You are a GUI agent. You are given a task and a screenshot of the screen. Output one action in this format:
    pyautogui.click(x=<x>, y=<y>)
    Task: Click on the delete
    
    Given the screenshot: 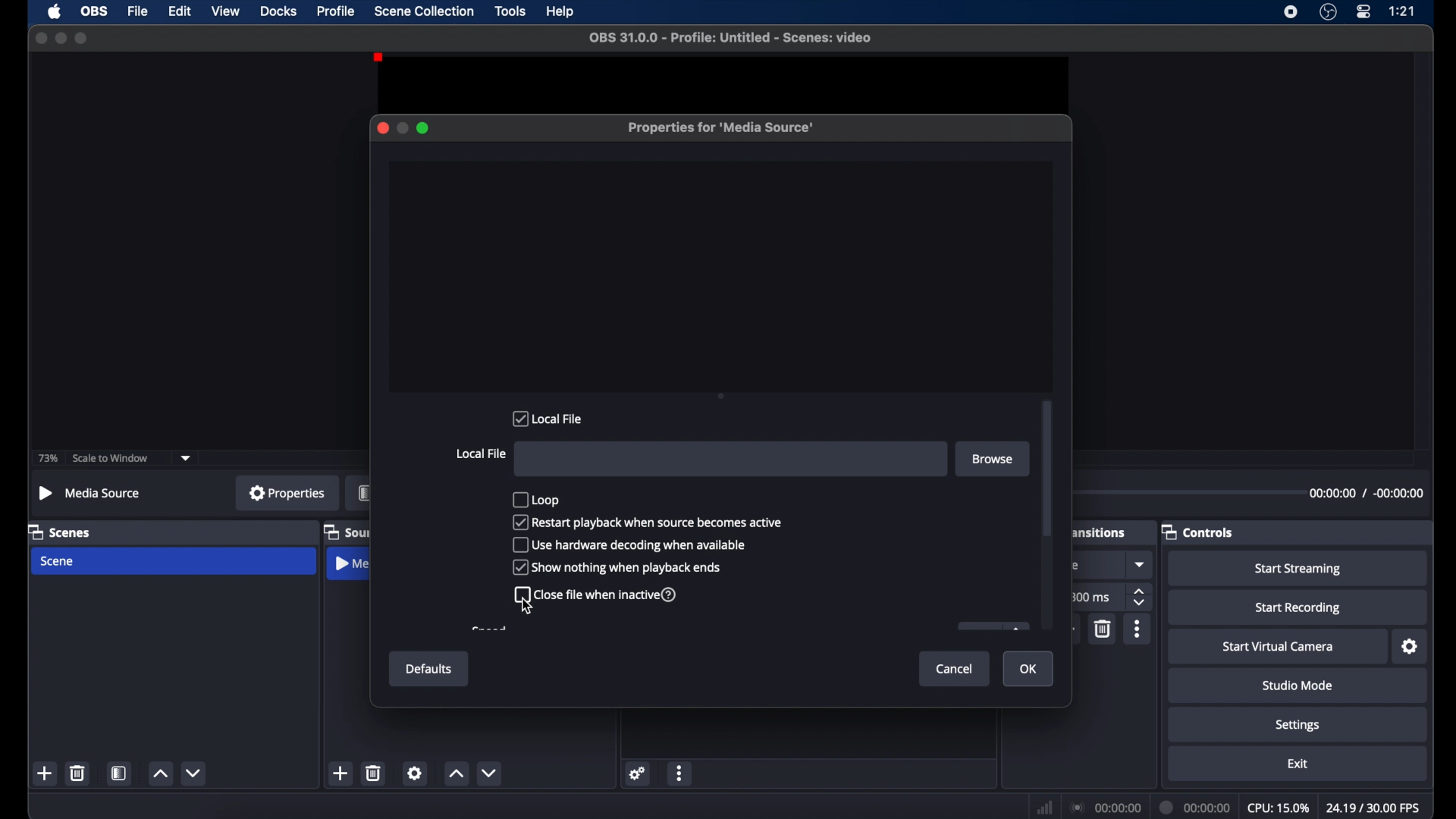 What is the action you would take?
    pyautogui.click(x=77, y=773)
    